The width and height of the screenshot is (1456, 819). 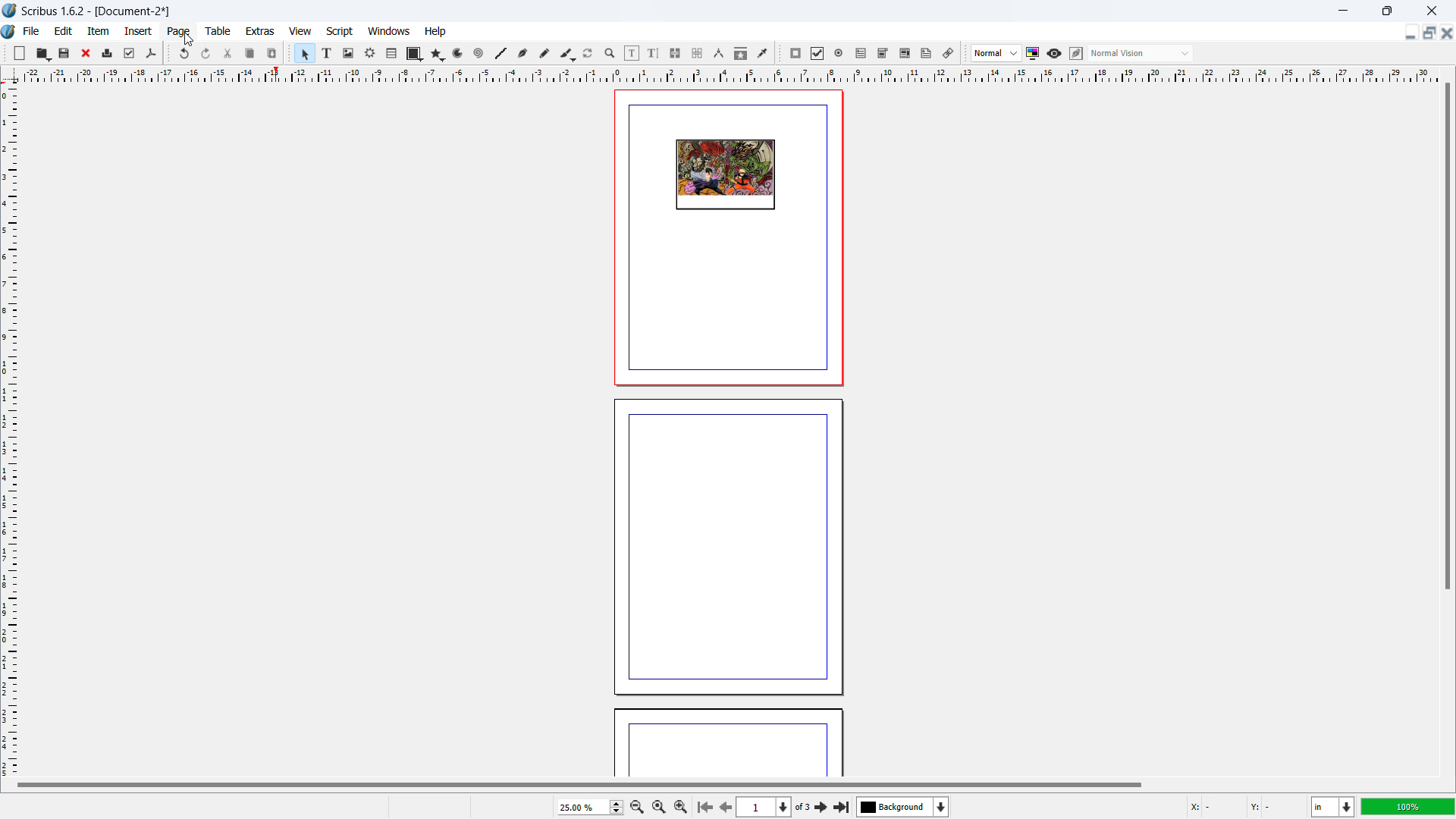 What do you see at coordinates (190, 39) in the screenshot?
I see `cursor` at bounding box center [190, 39].